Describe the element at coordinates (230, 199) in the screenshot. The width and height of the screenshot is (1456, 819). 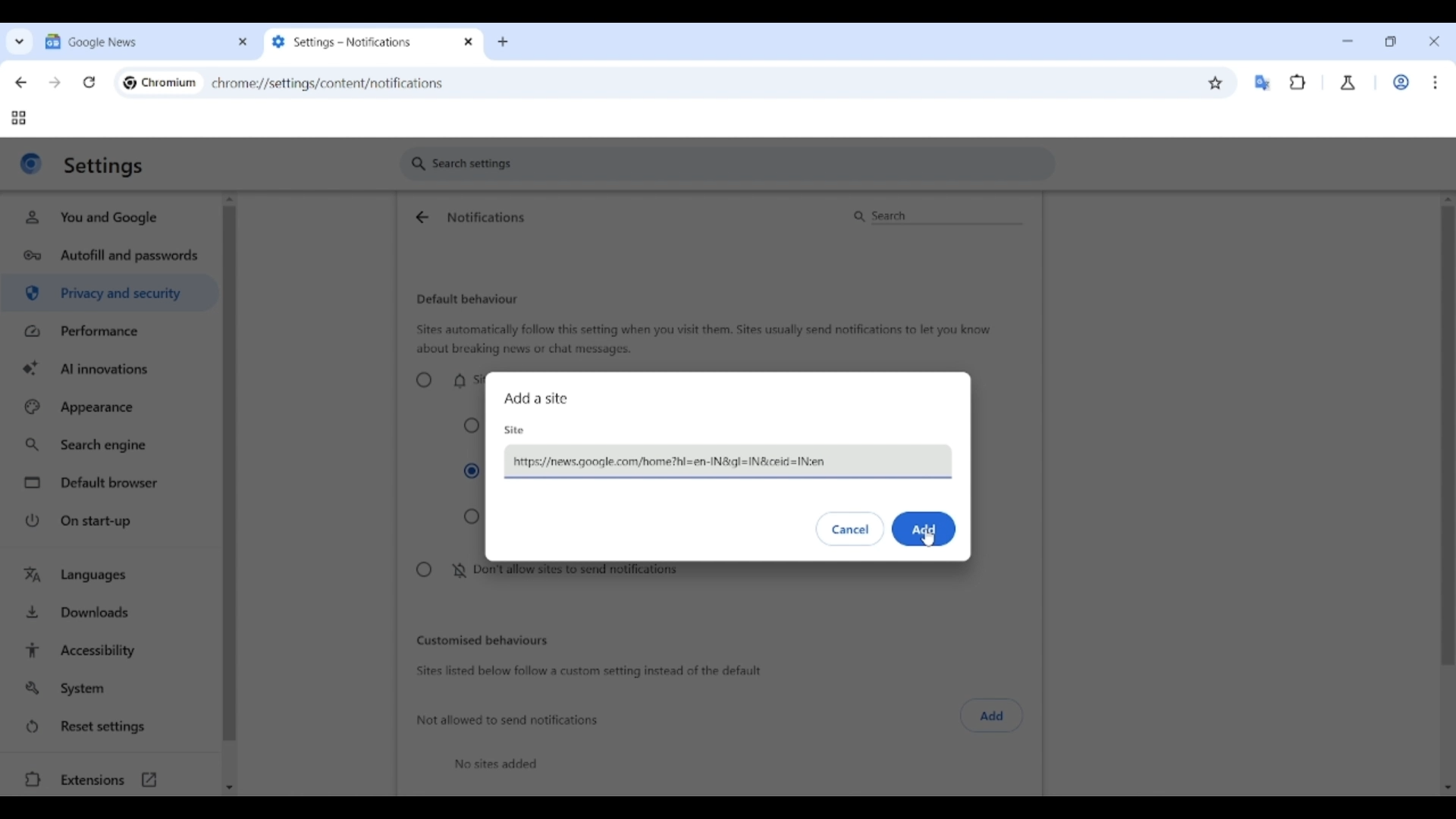
I see `Quick slide to top` at that location.